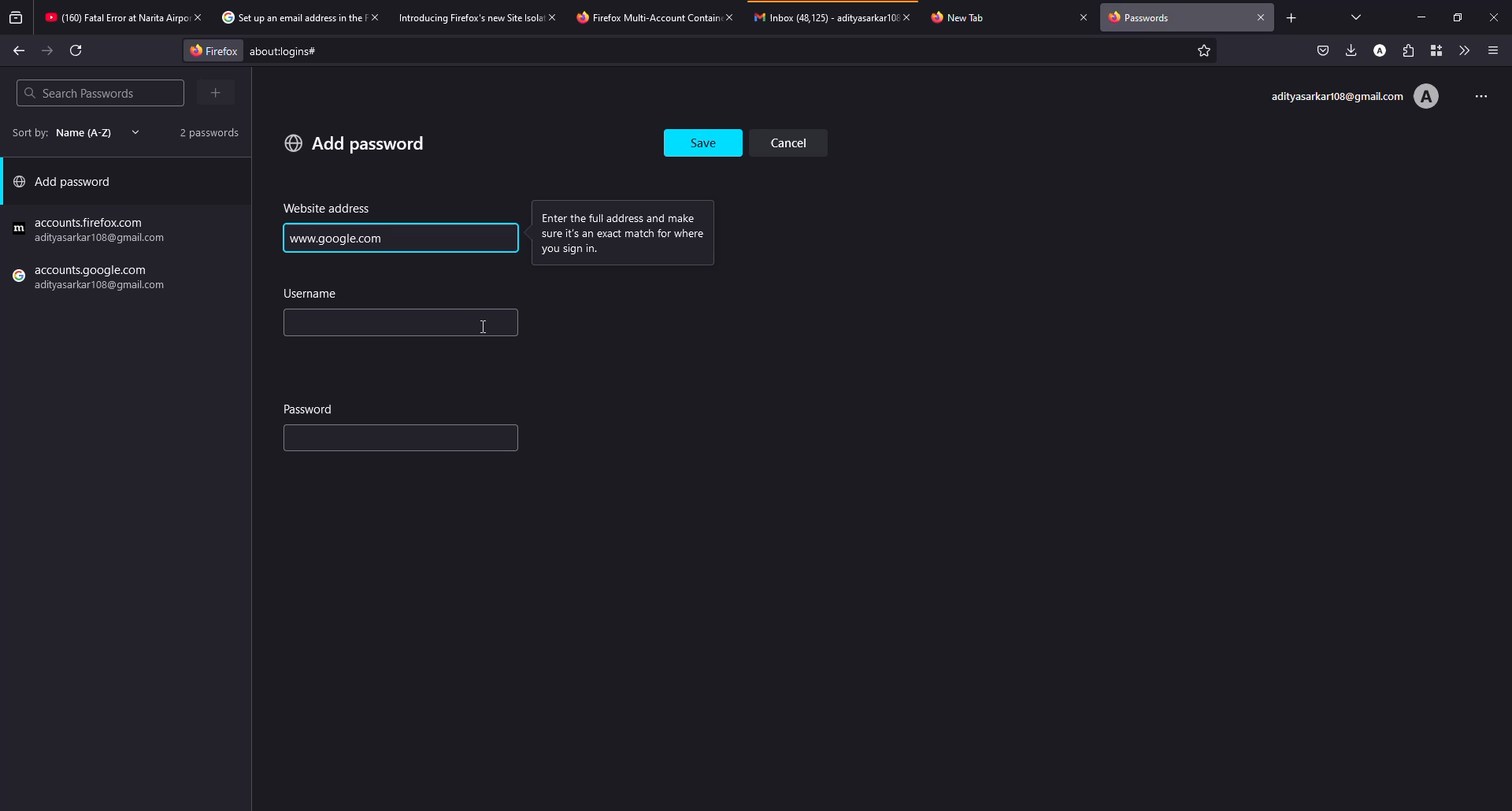 This screenshot has width=1512, height=811. I want to click on downloads, so click(1351, 50).